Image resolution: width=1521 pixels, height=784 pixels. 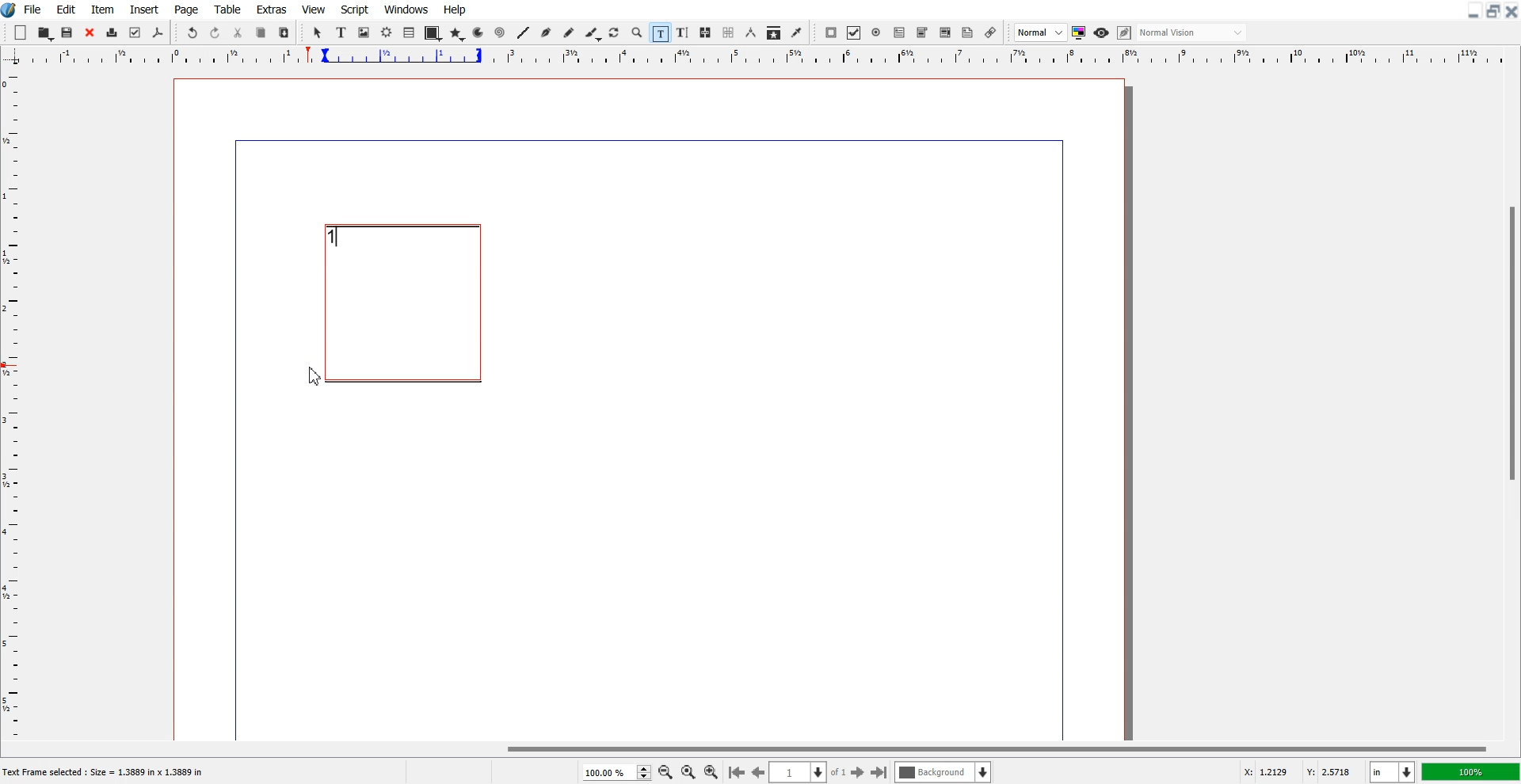 I want to click on Paste, so click(x=284, y=32).